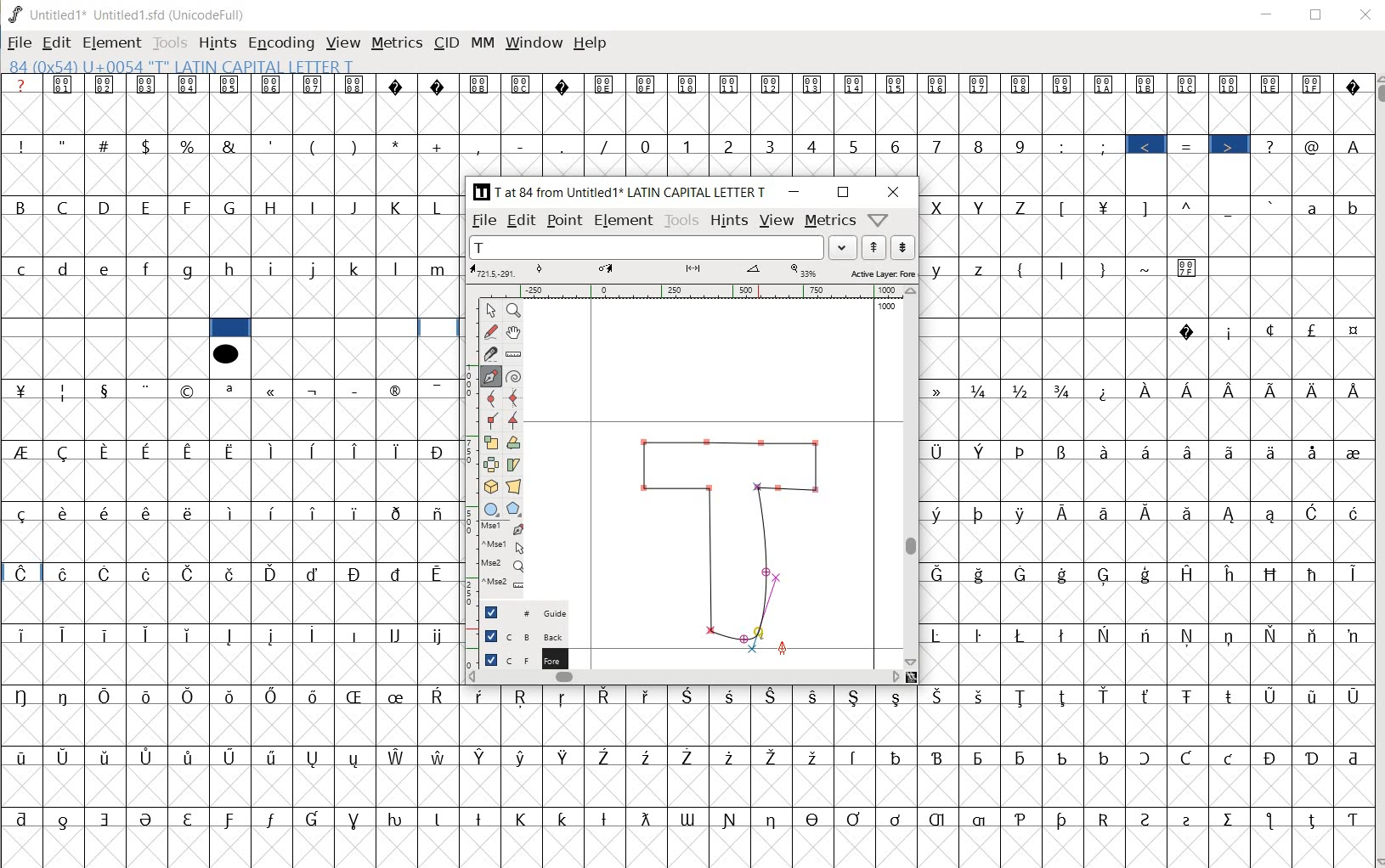 The image size is (1385, 868). Describe the element at coordinates (647, 247) in the screenshot. I see `T` at that location.